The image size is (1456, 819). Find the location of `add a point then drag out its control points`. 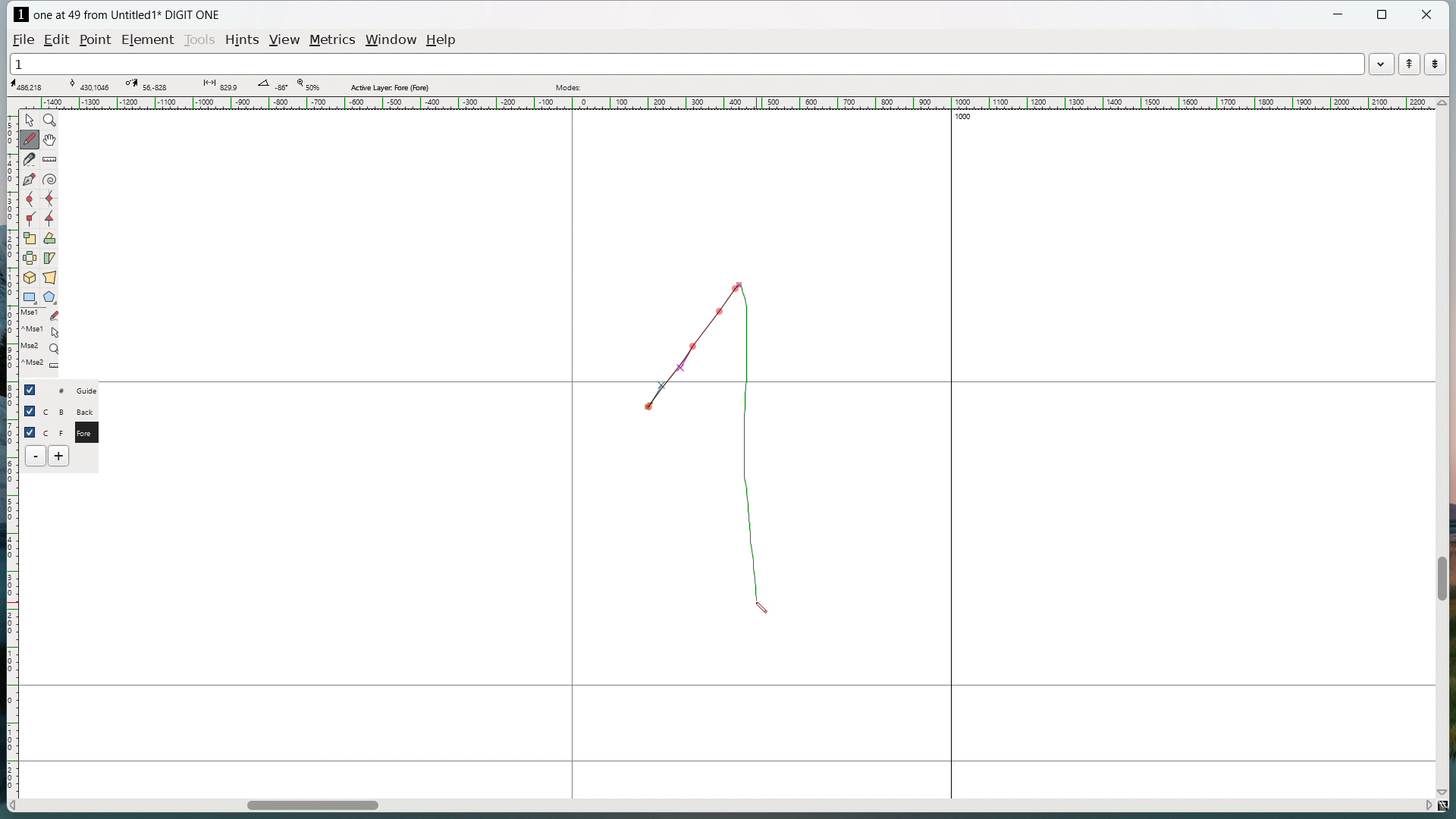

add a point then drag out its control points is located at coordinates (30, 179).